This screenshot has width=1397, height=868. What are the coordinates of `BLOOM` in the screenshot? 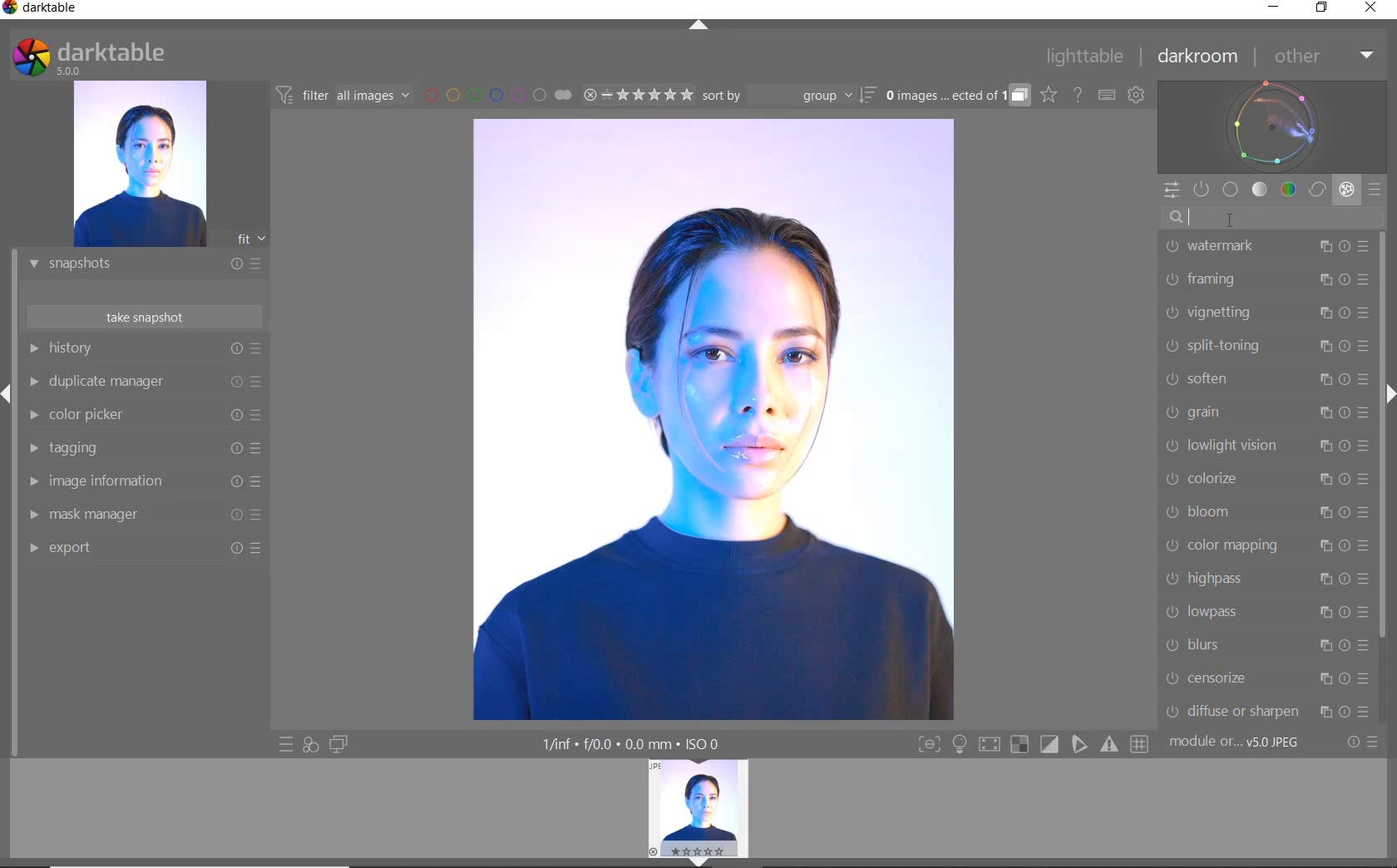 It's located at (1265, 512).